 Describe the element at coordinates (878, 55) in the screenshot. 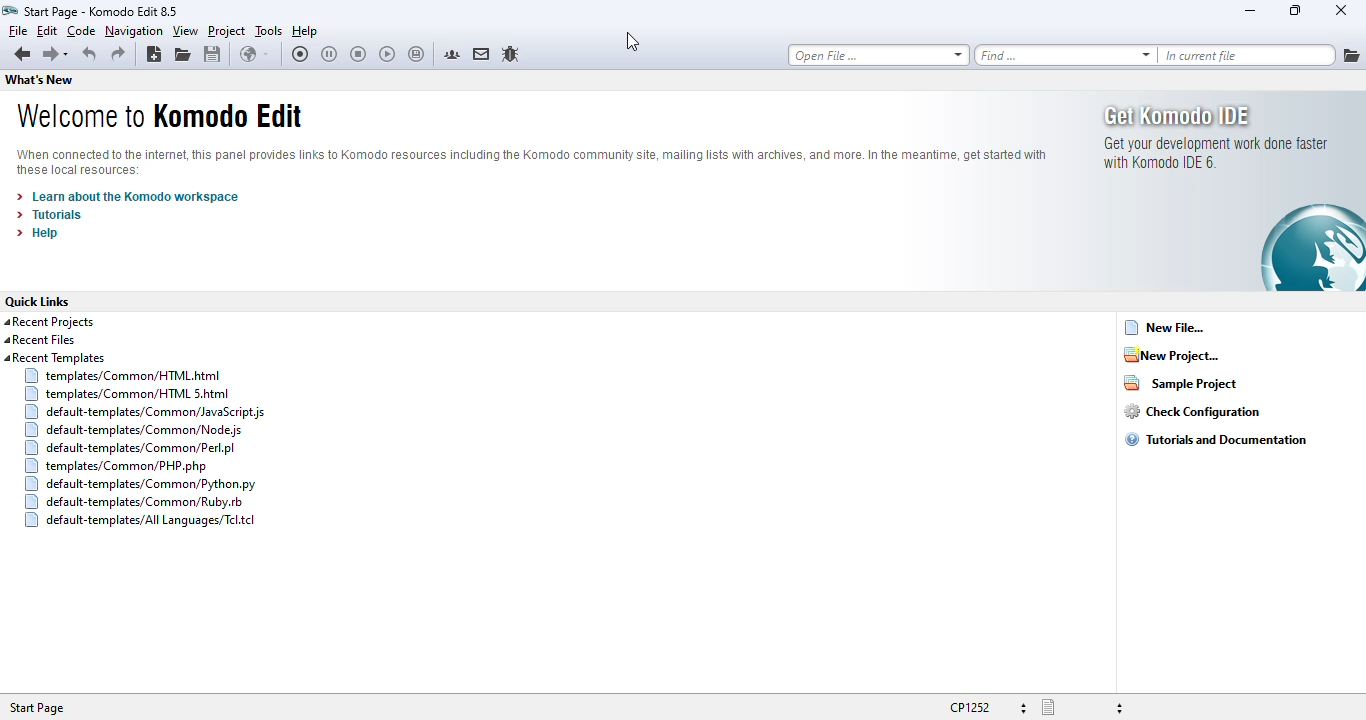

I see `open file` at that location.